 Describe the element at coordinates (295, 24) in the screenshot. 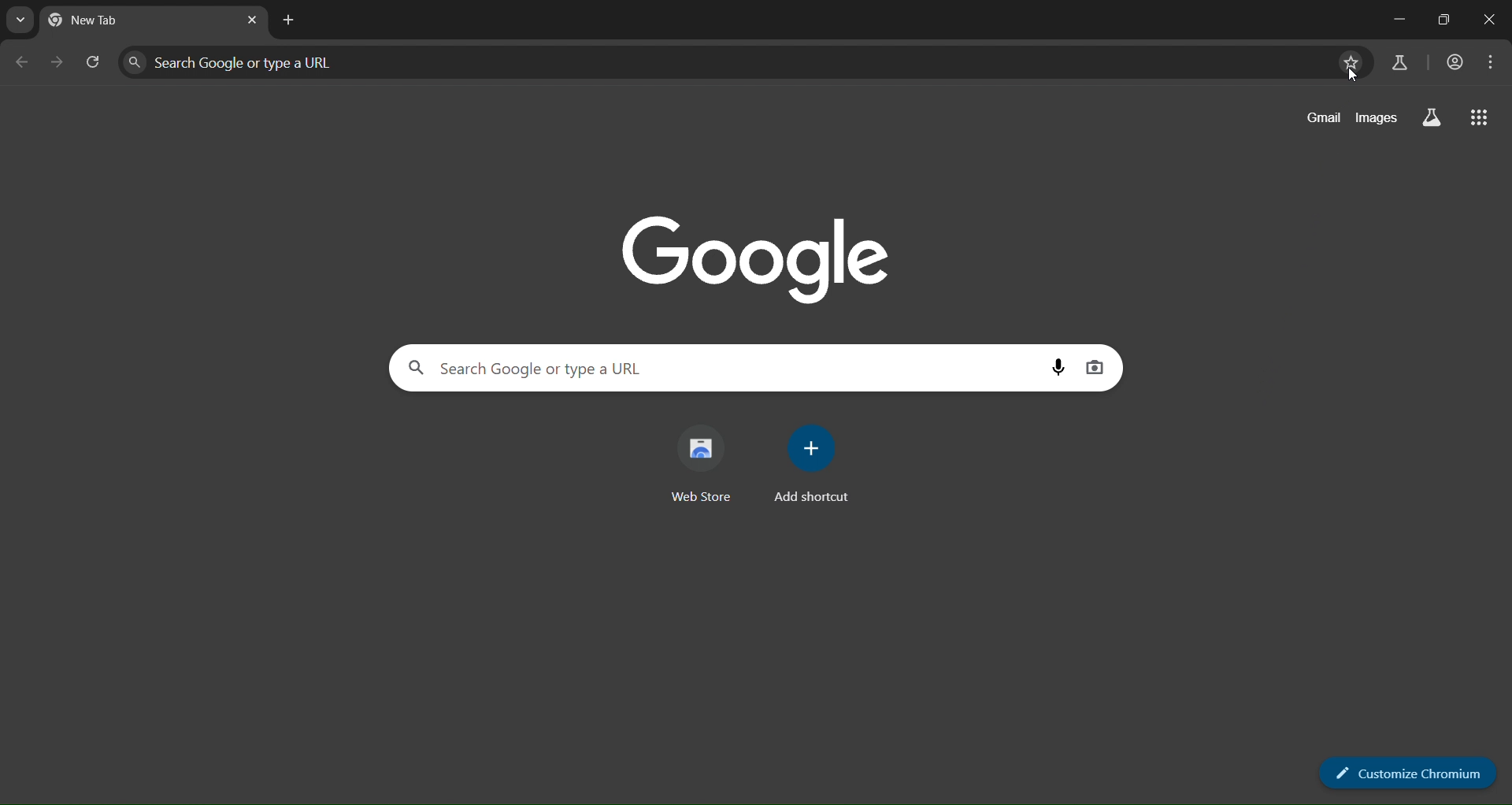

I see `new tab` at that location.